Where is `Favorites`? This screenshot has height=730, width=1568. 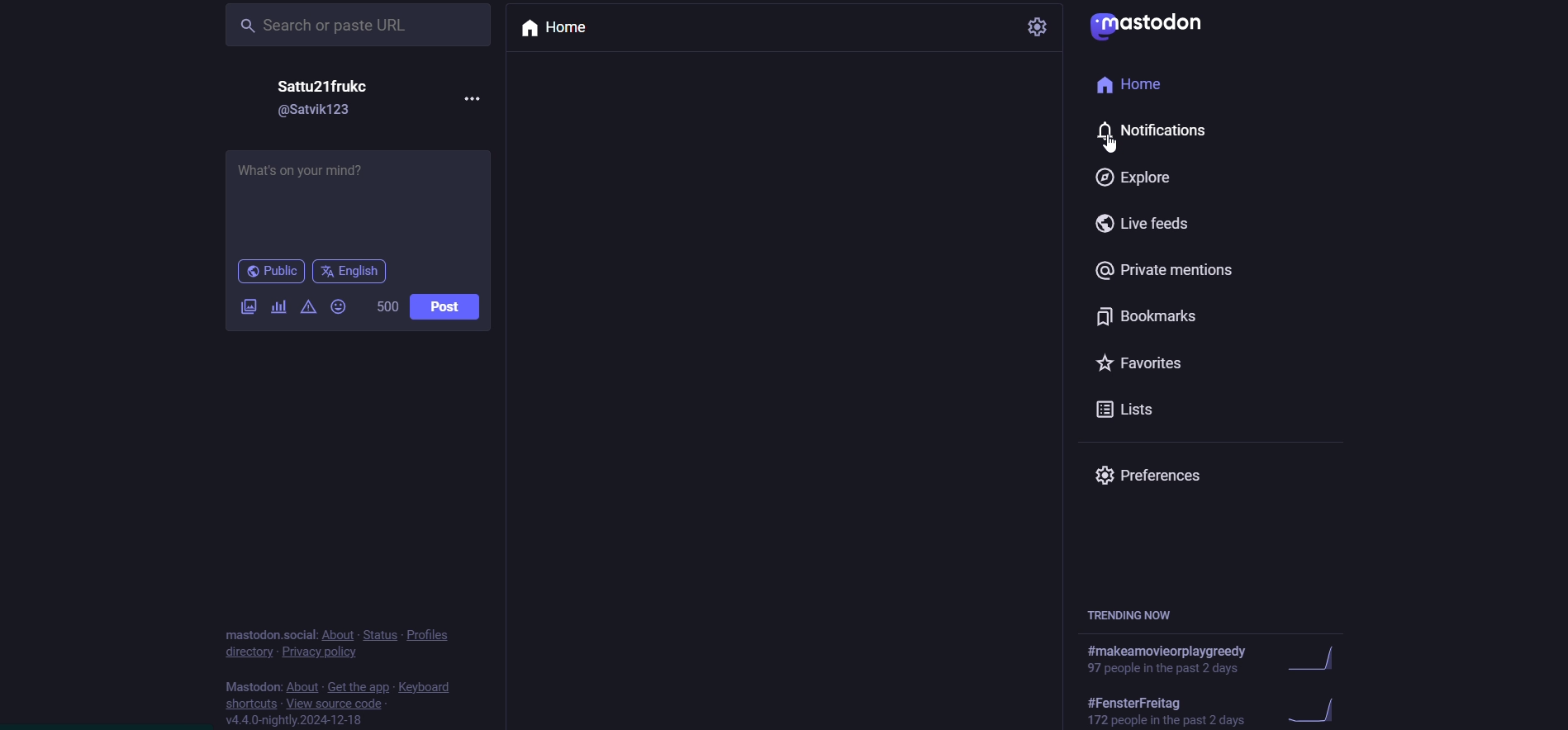
Favorites is located at coordinates (1157, 360).